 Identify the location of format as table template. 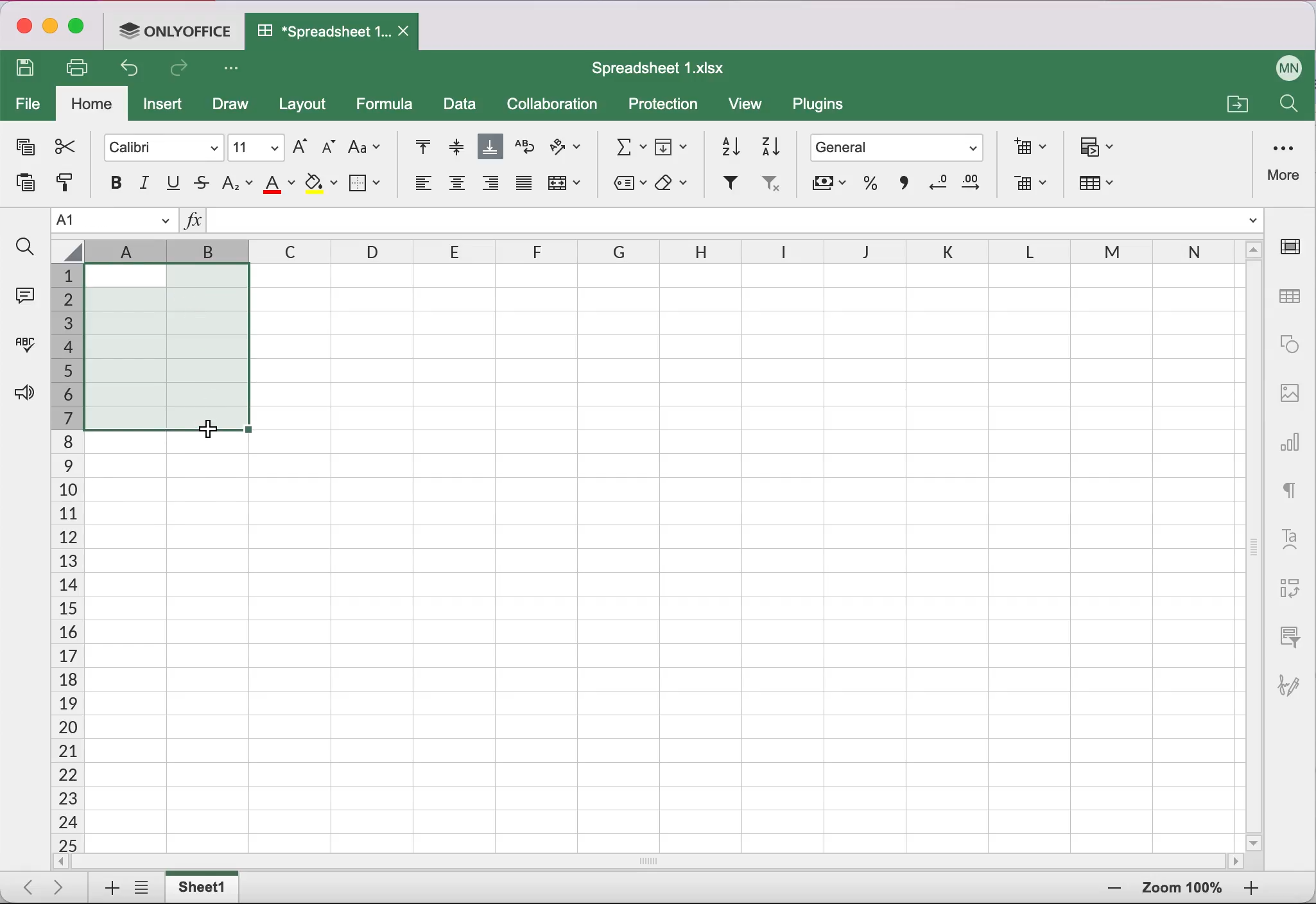
(1103, 186).